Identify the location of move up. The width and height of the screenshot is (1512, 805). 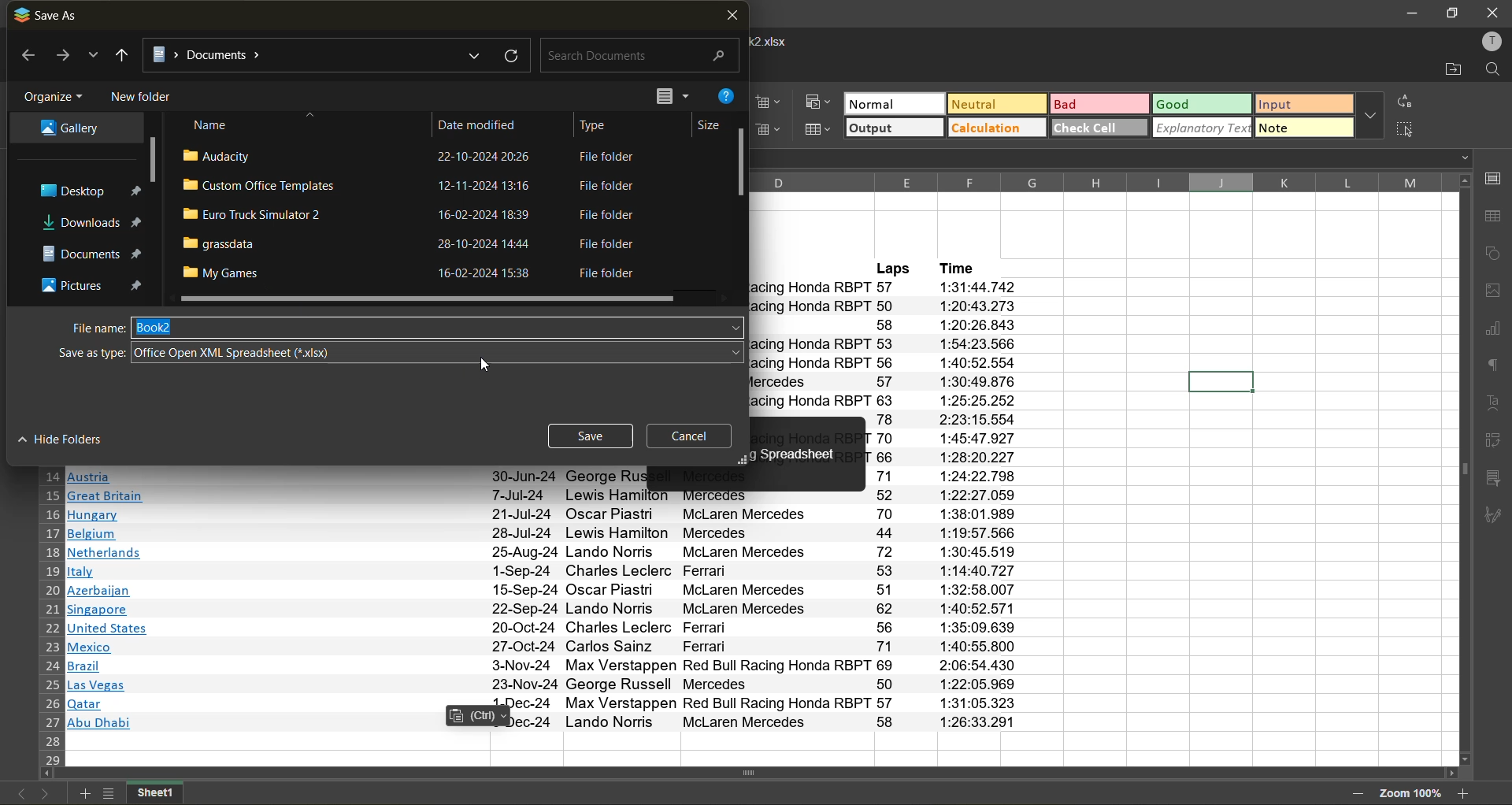
(1463, 181).